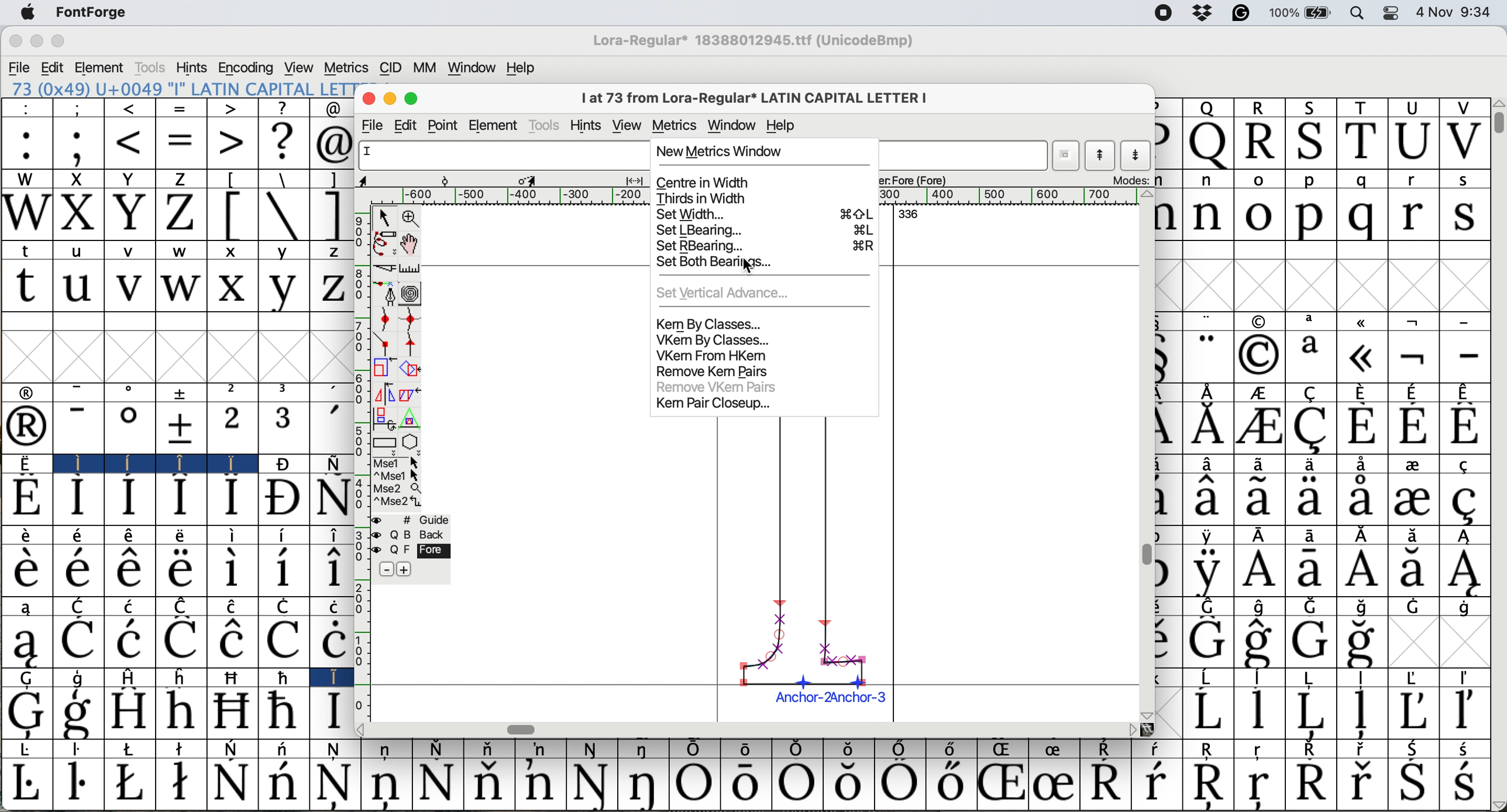  What do you see at coordinates (411, 243) in the screenshot?
I see `scroll by hand` at bounding box center [411, 243].